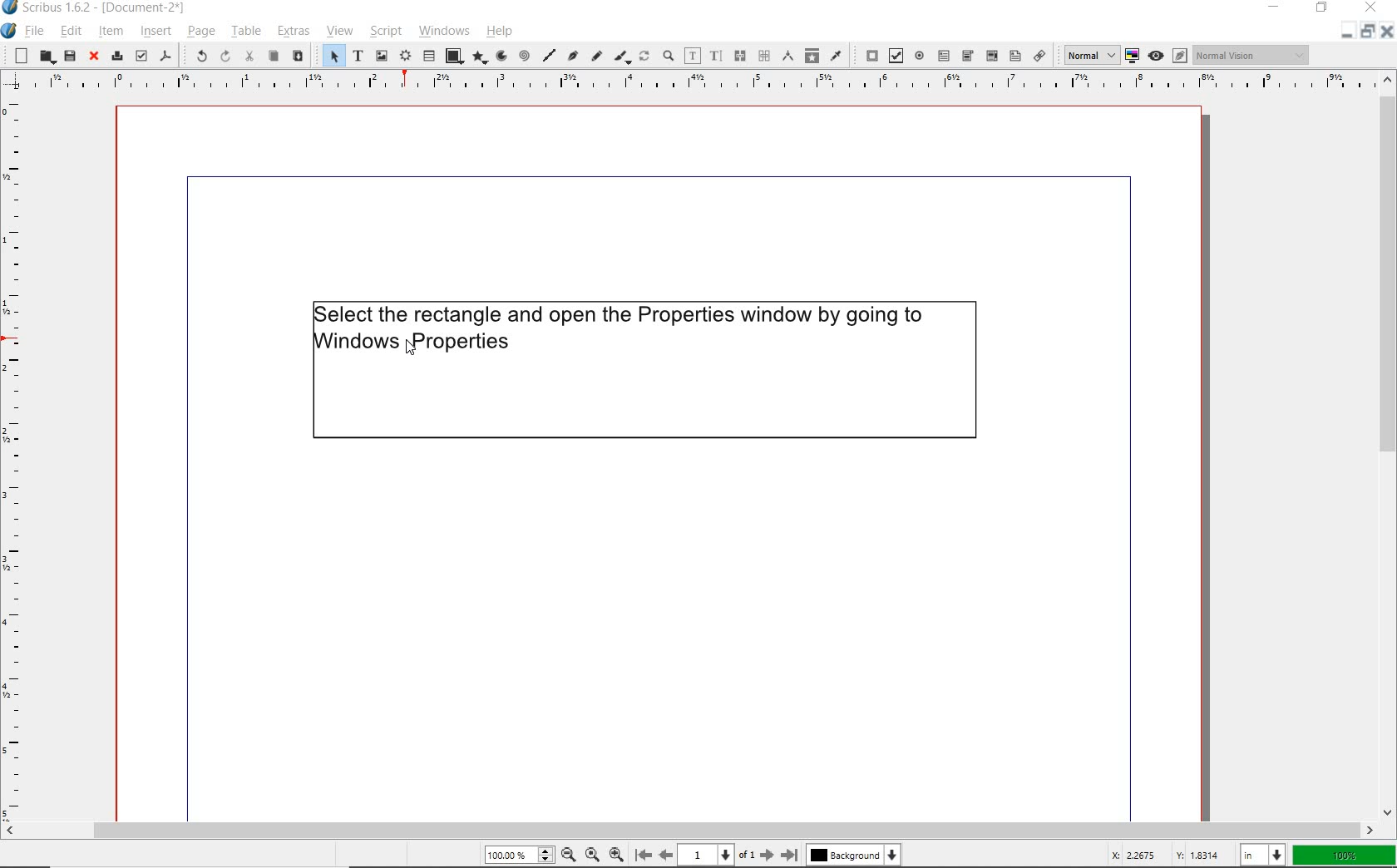  What do you see at coordinates (616, 852) in the screenshot?
I see `zoom in` at bounding box center [616, 852].